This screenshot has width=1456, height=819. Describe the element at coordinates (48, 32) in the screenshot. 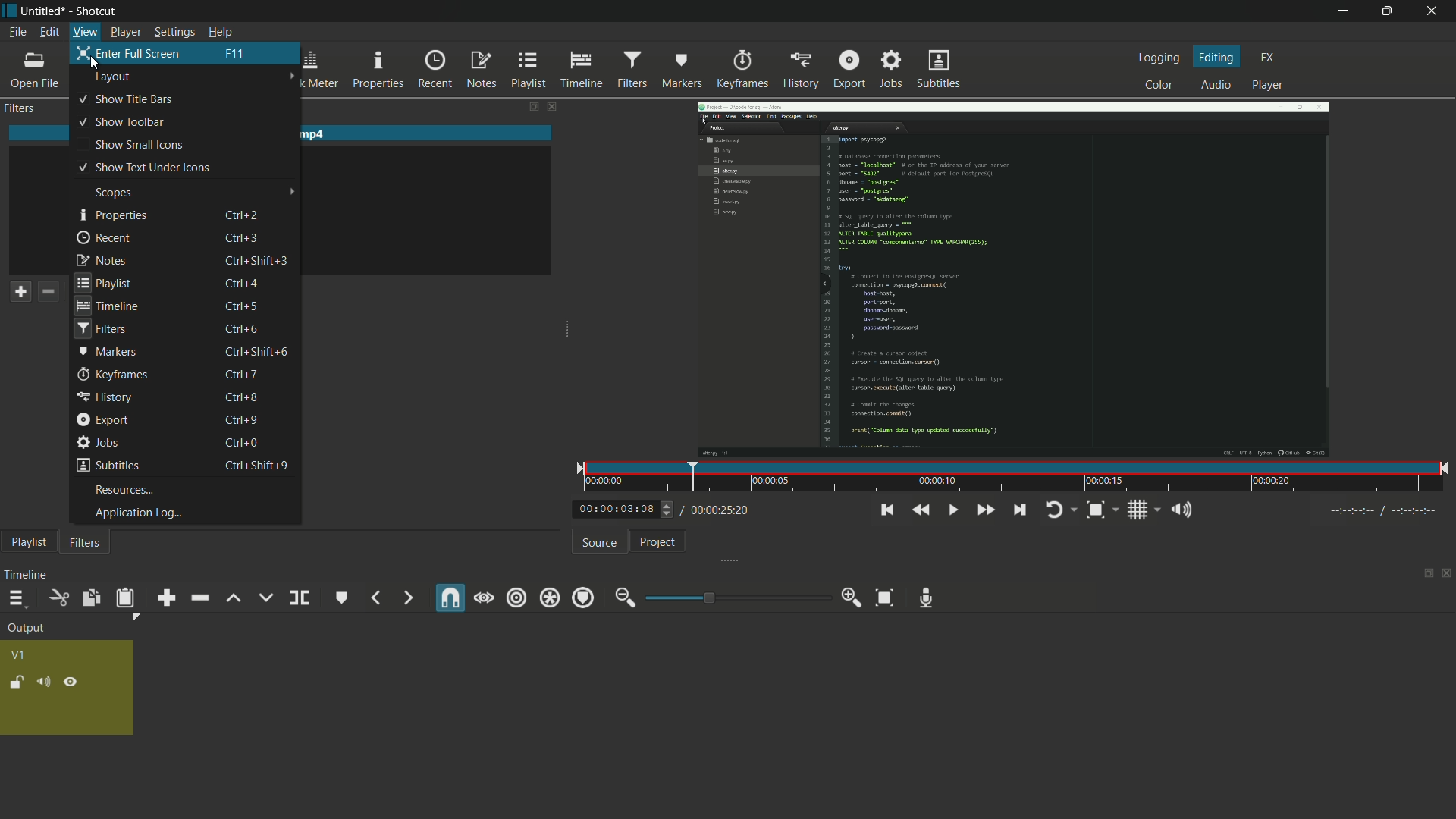

I see `edit menu` at that location.